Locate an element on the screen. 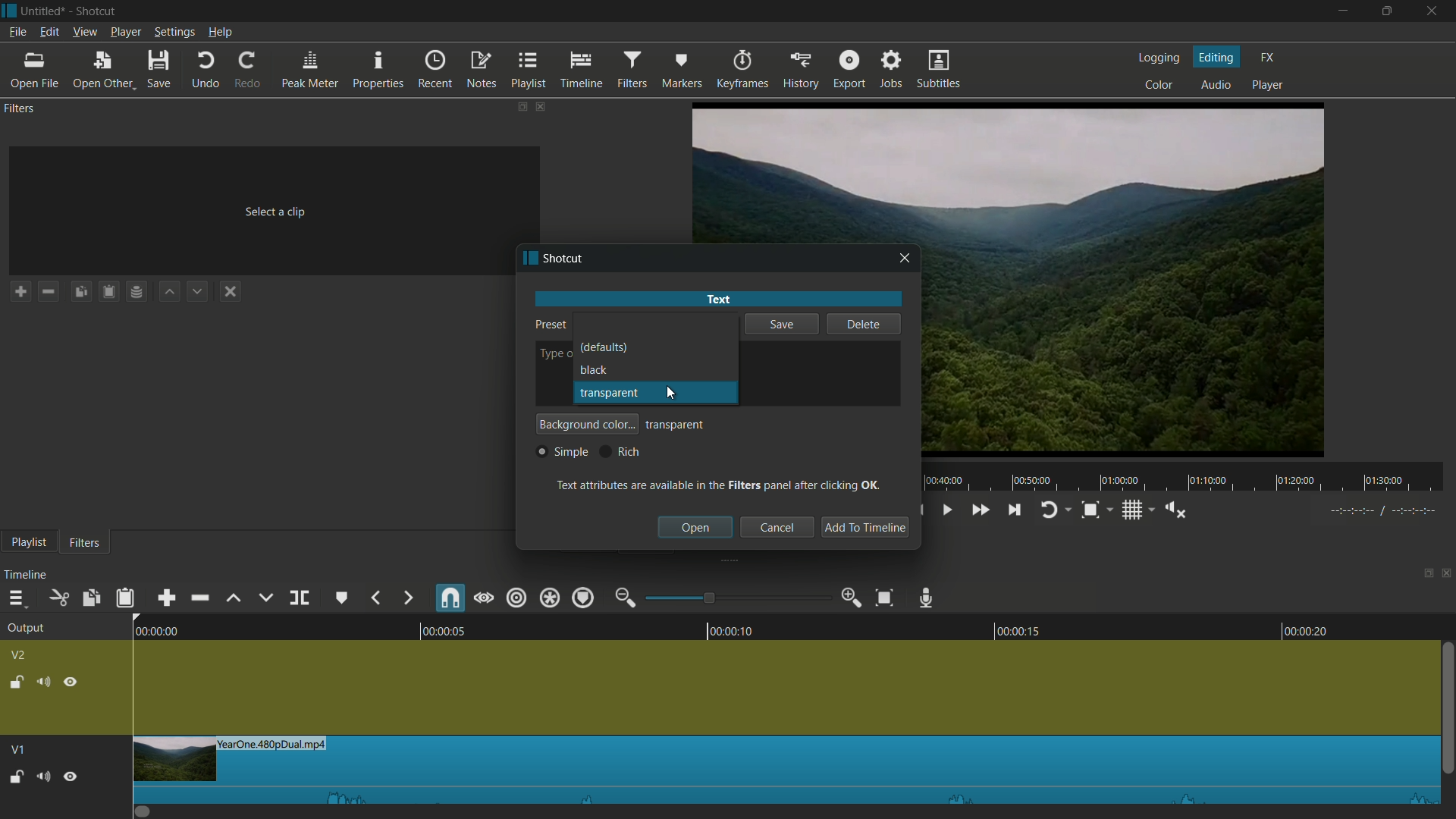 The height and width of the screenshot is (819, 1456). 00:00:10 is located at coordinates (734, 629).